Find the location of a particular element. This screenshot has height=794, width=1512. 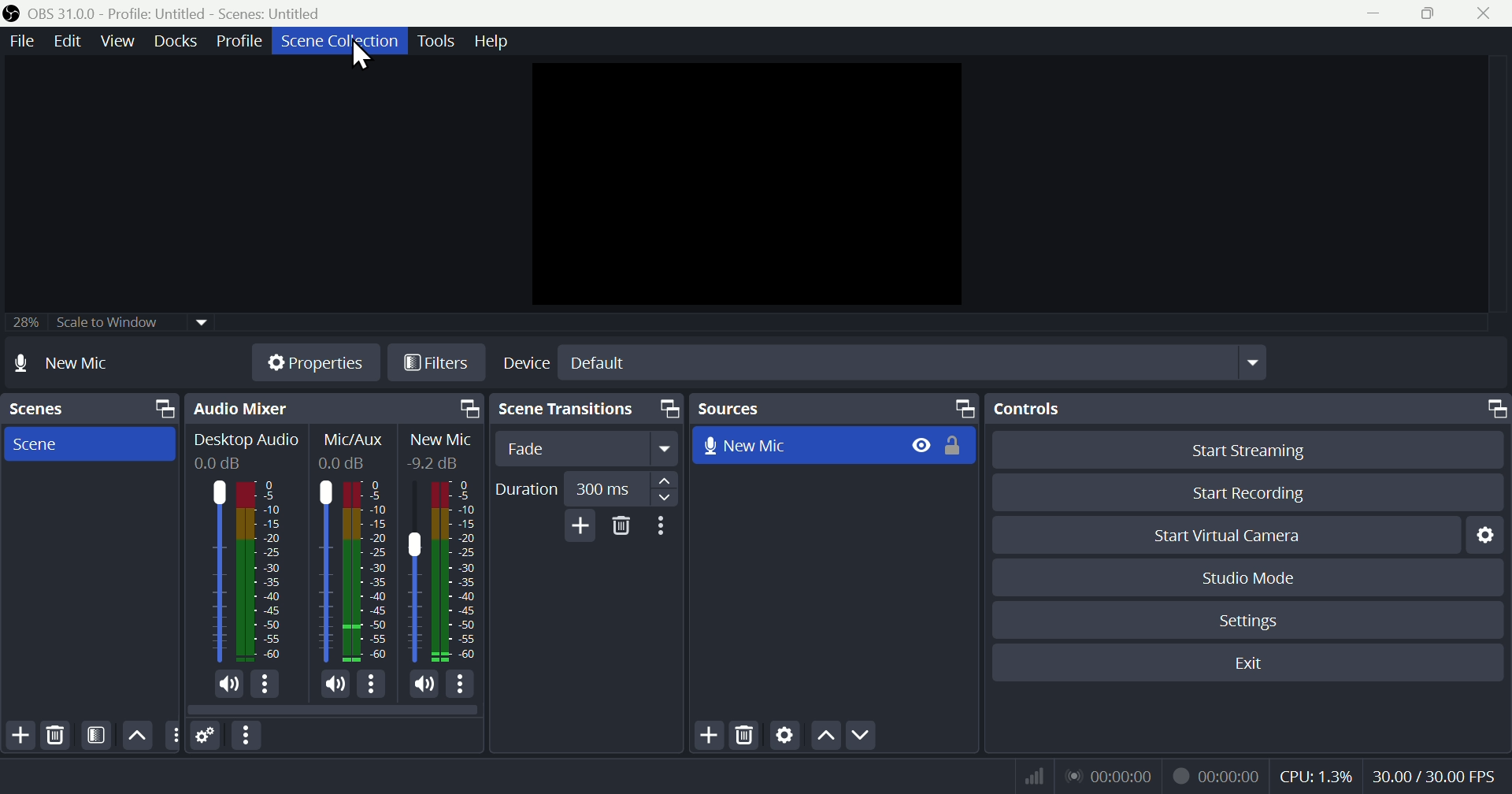

Delete is located at coordinates (745, 736).